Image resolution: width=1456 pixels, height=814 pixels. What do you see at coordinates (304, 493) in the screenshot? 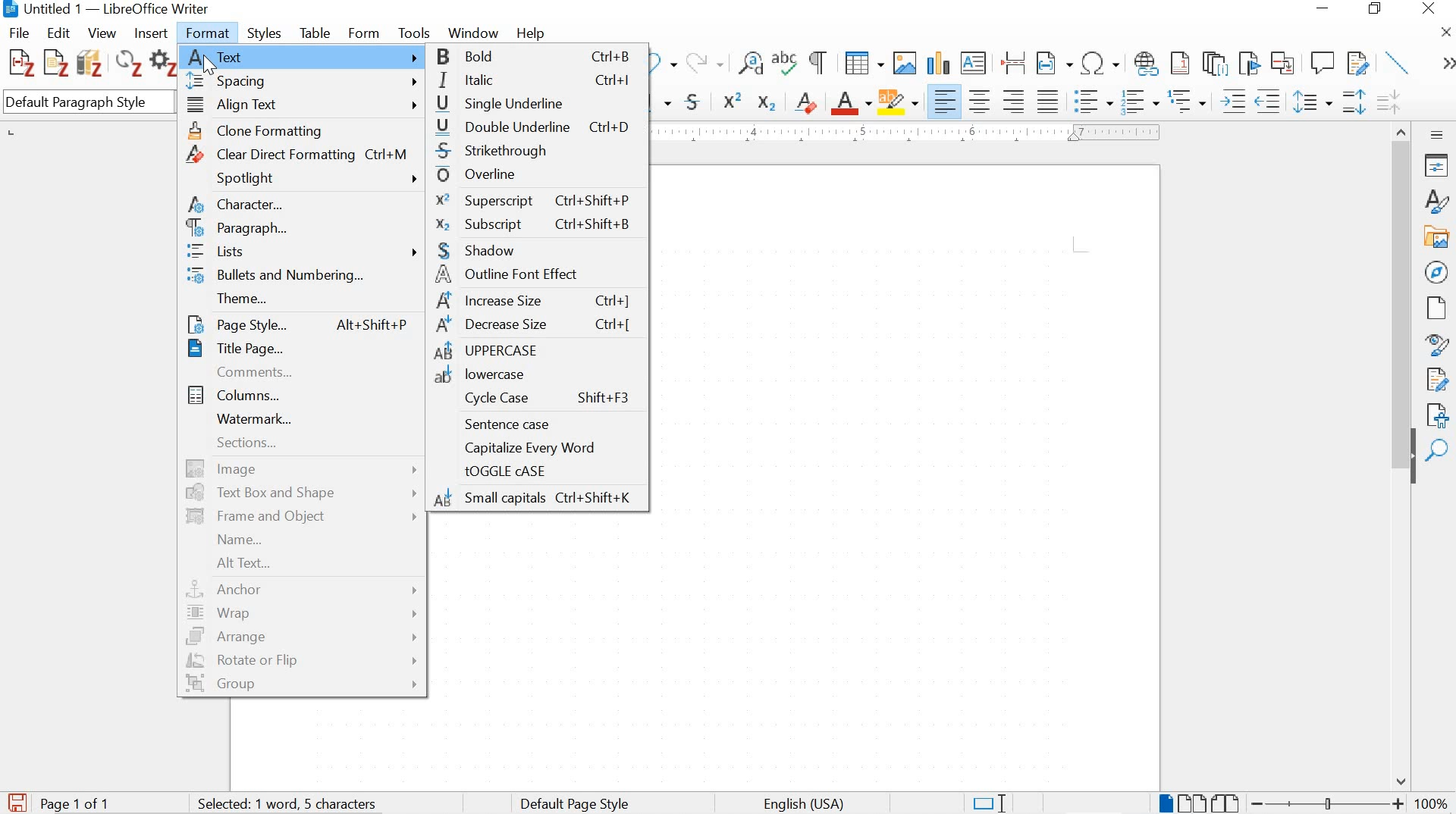
I see `text box and shape` at bounding box center [304, 493].